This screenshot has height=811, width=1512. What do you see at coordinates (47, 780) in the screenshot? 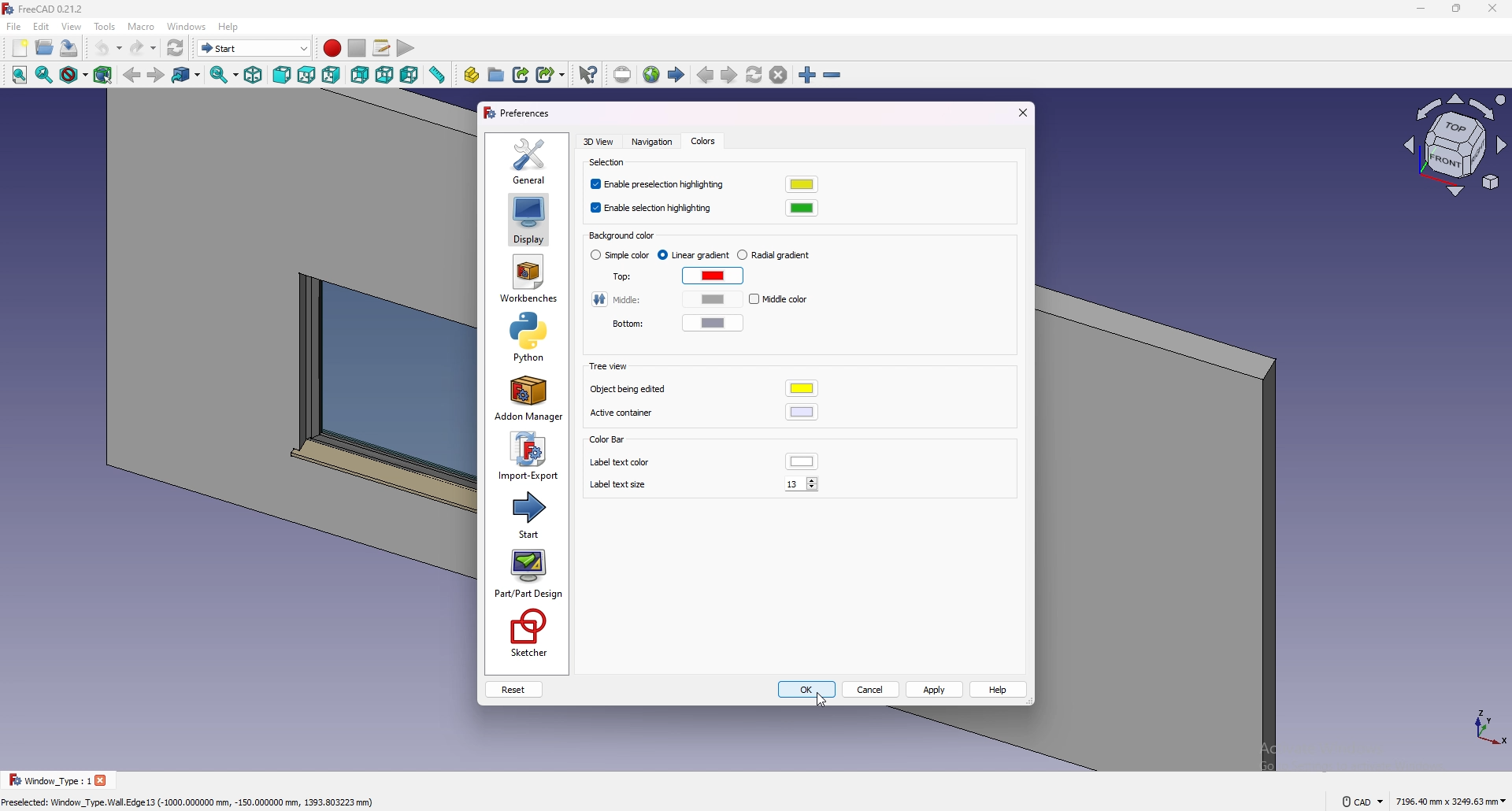
I see `Window _Type : 1` at bounding box center [47, 780].